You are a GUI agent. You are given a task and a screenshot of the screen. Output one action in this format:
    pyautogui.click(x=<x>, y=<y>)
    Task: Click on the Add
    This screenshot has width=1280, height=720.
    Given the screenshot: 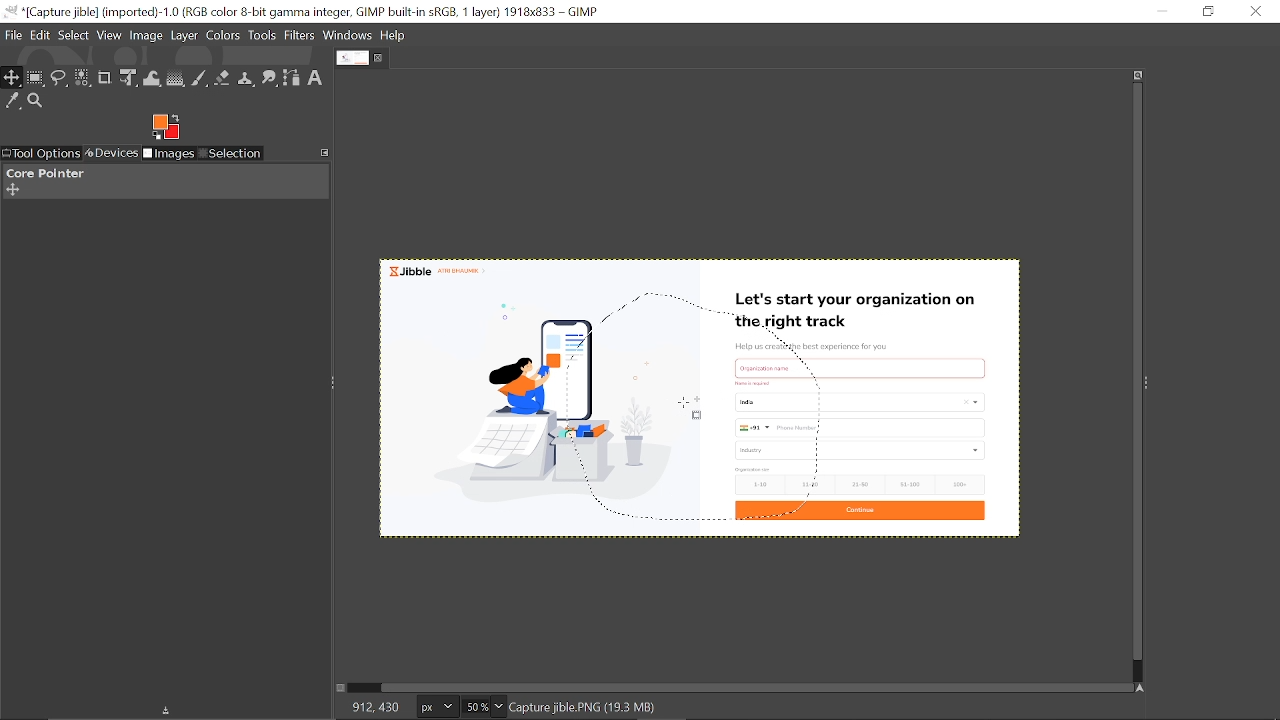 What is the action you would take?
    pyautogui.click(x=12, y=190)
    